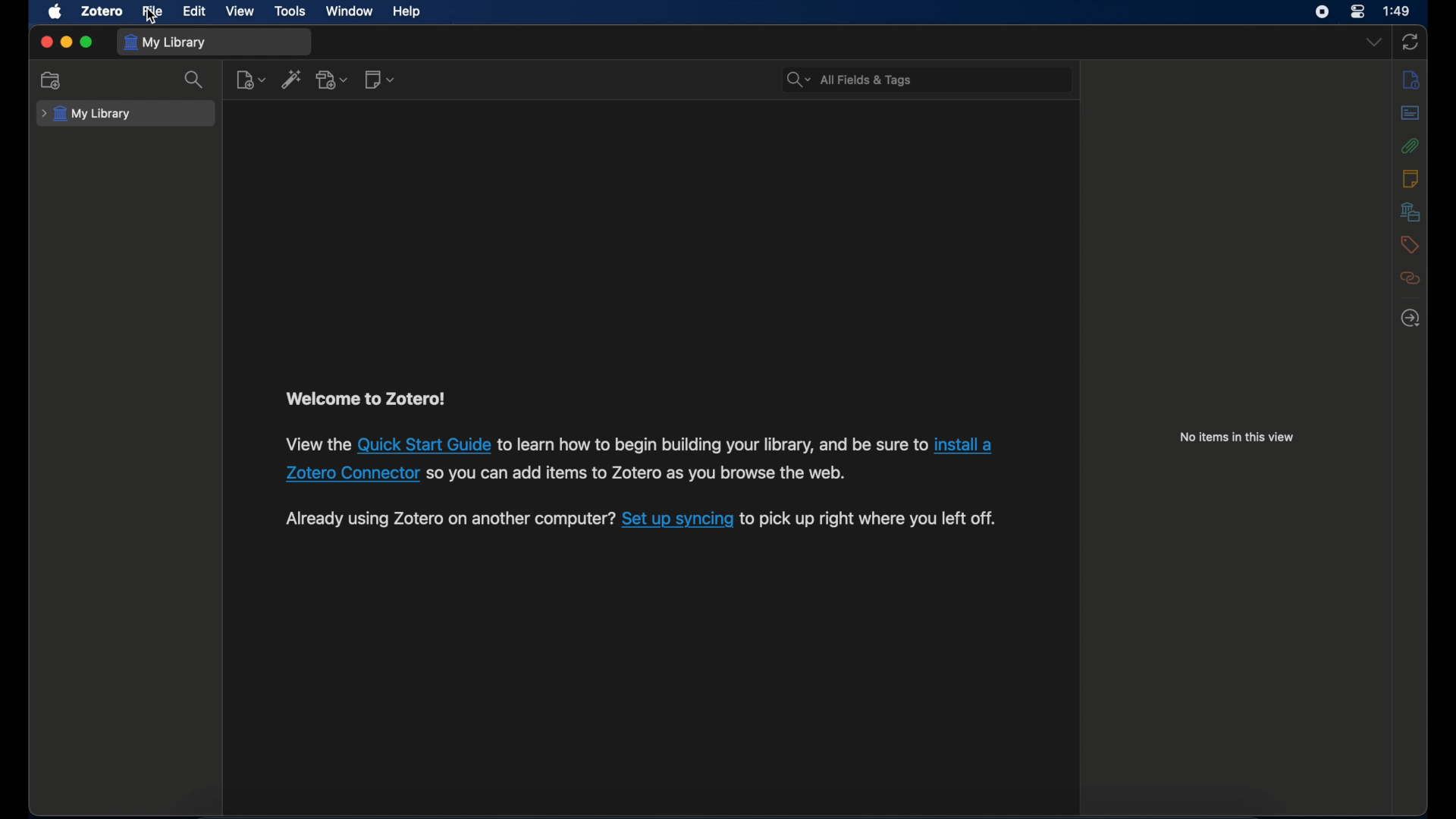 This screenshot has height=819, width=1456. I want to click on locate, so click(1410, 319).